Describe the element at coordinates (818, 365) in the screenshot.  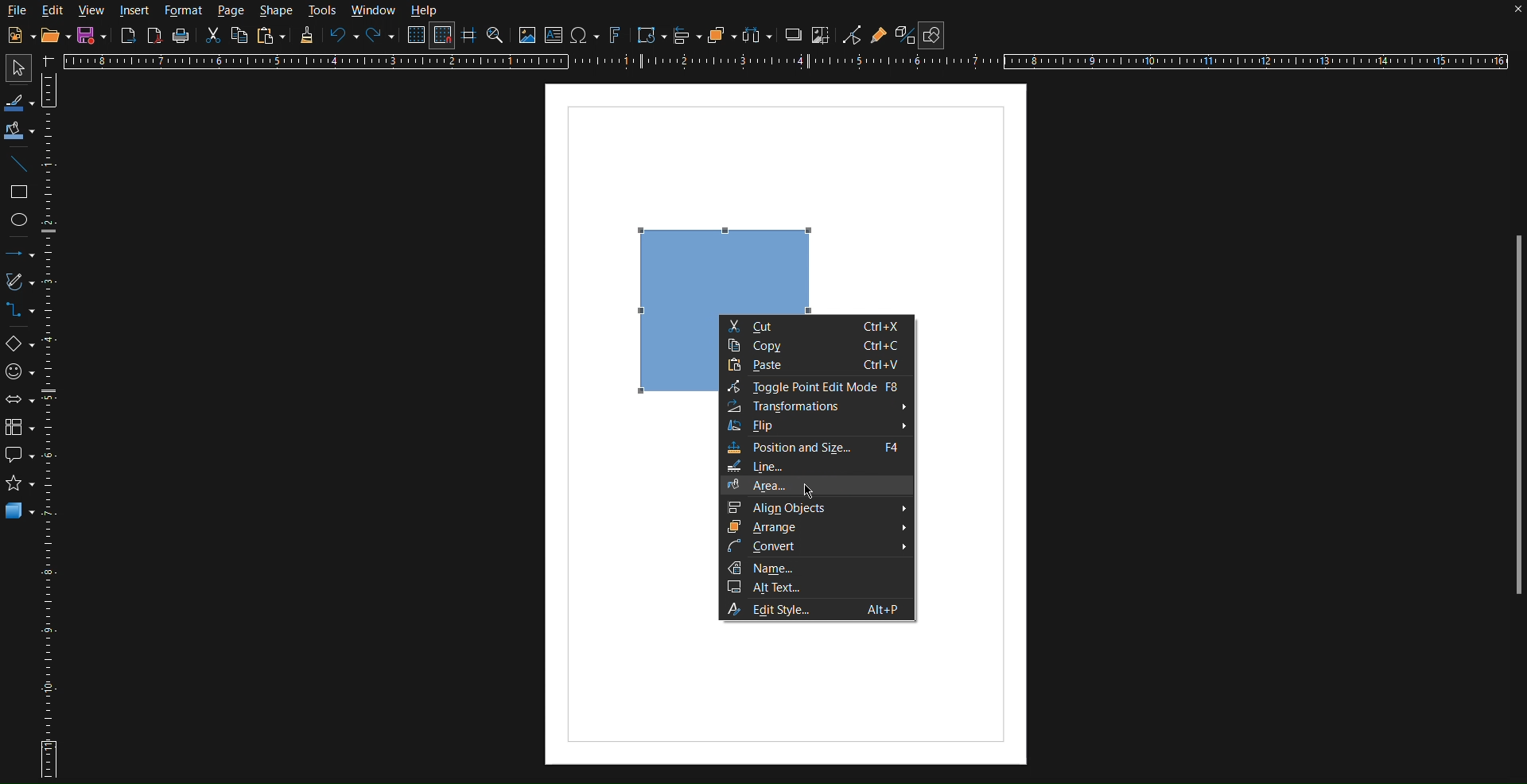
I see `Paste` at that location.